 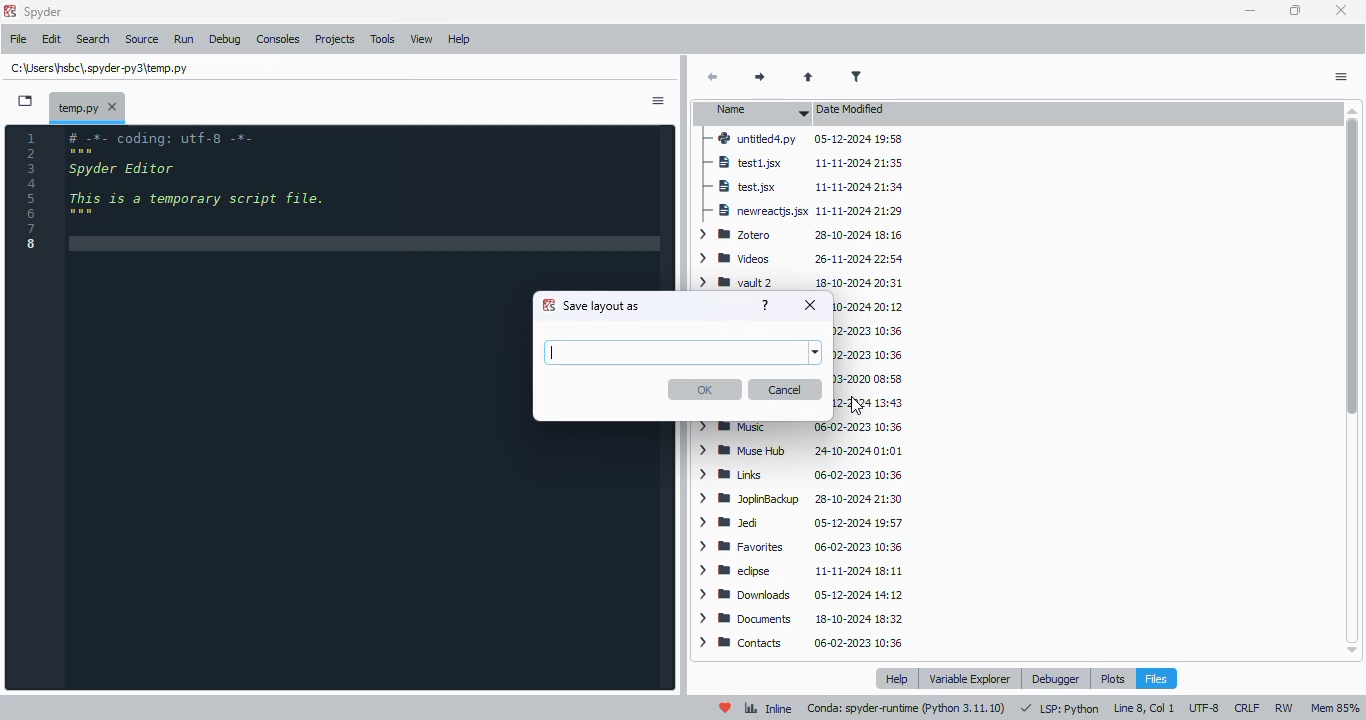 I want to click on options, so click(x=1341, y=78).